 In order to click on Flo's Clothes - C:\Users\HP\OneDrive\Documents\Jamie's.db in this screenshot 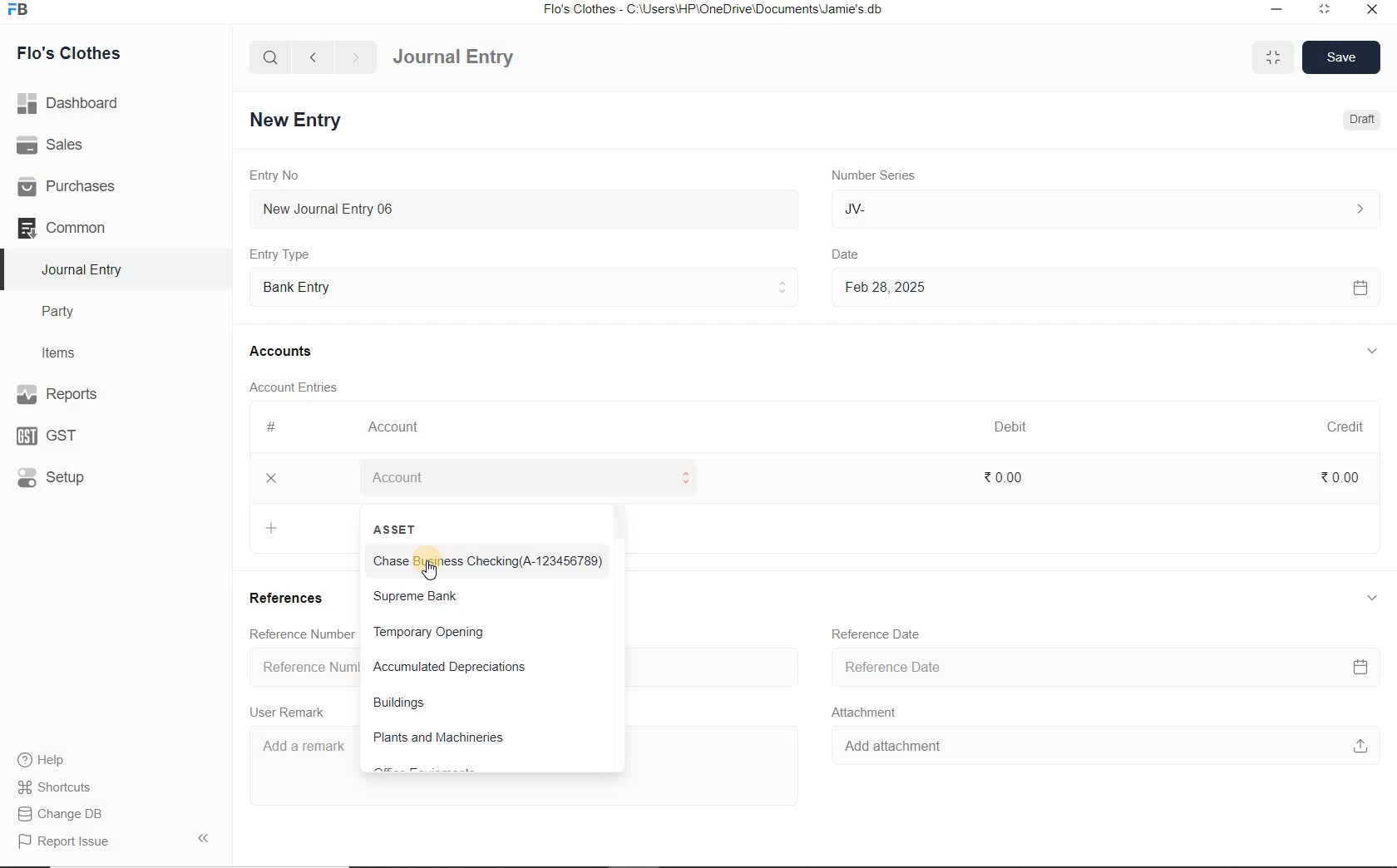, I will do `click(714, 12)`.